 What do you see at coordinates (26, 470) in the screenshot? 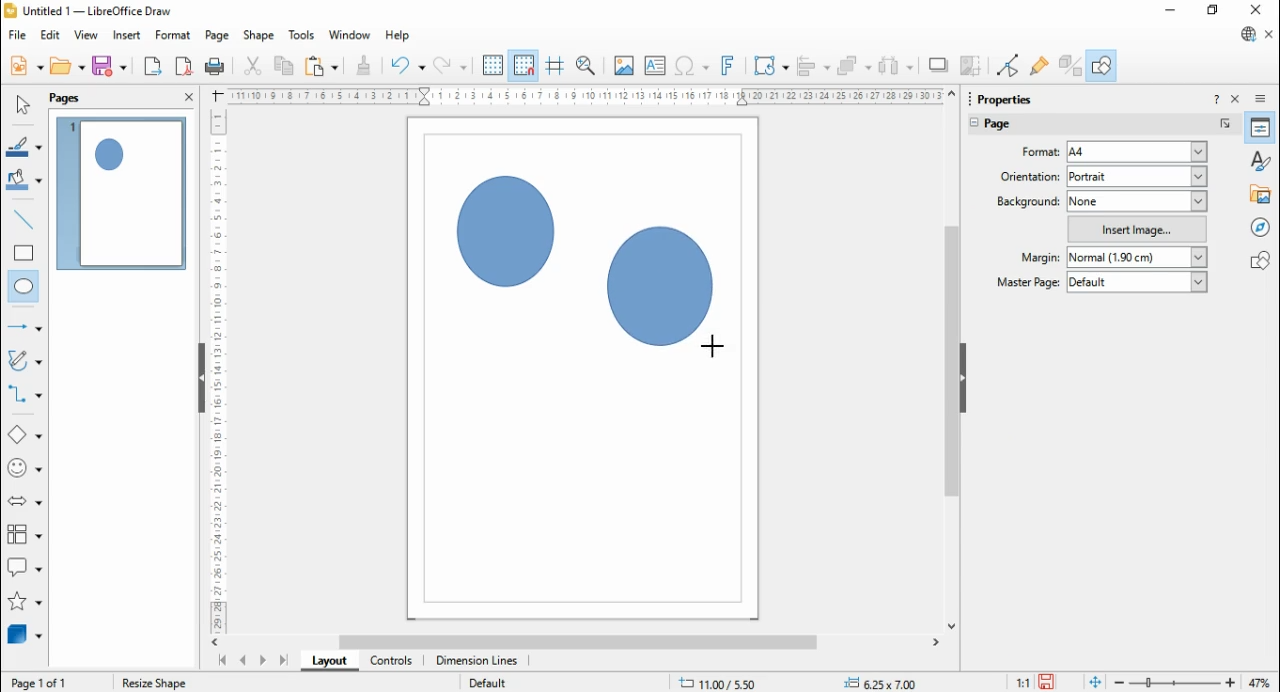
I see `symbol shapes` at bounding box center [26, 470].